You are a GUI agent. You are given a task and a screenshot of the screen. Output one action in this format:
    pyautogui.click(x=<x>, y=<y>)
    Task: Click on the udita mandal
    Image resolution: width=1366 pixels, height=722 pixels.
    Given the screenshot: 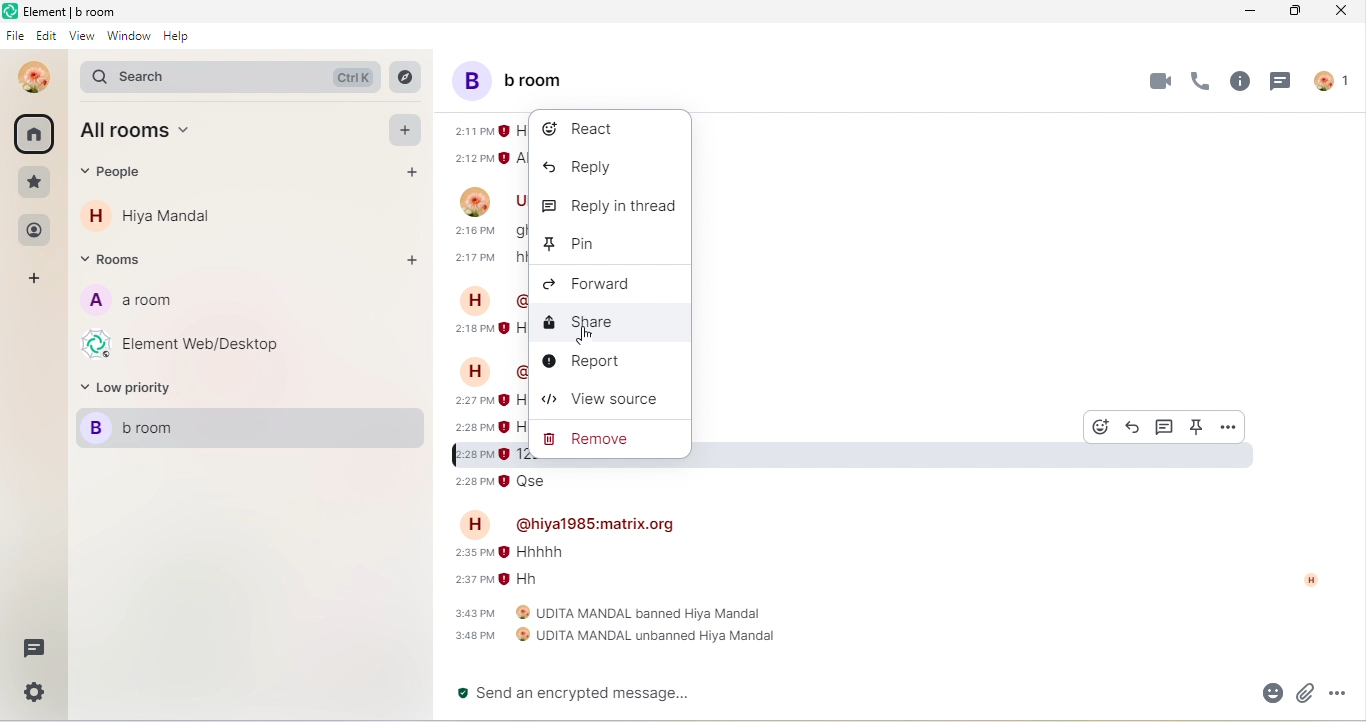 What is the action you would take?
    pyautogui.click(x=29, y=77)
    